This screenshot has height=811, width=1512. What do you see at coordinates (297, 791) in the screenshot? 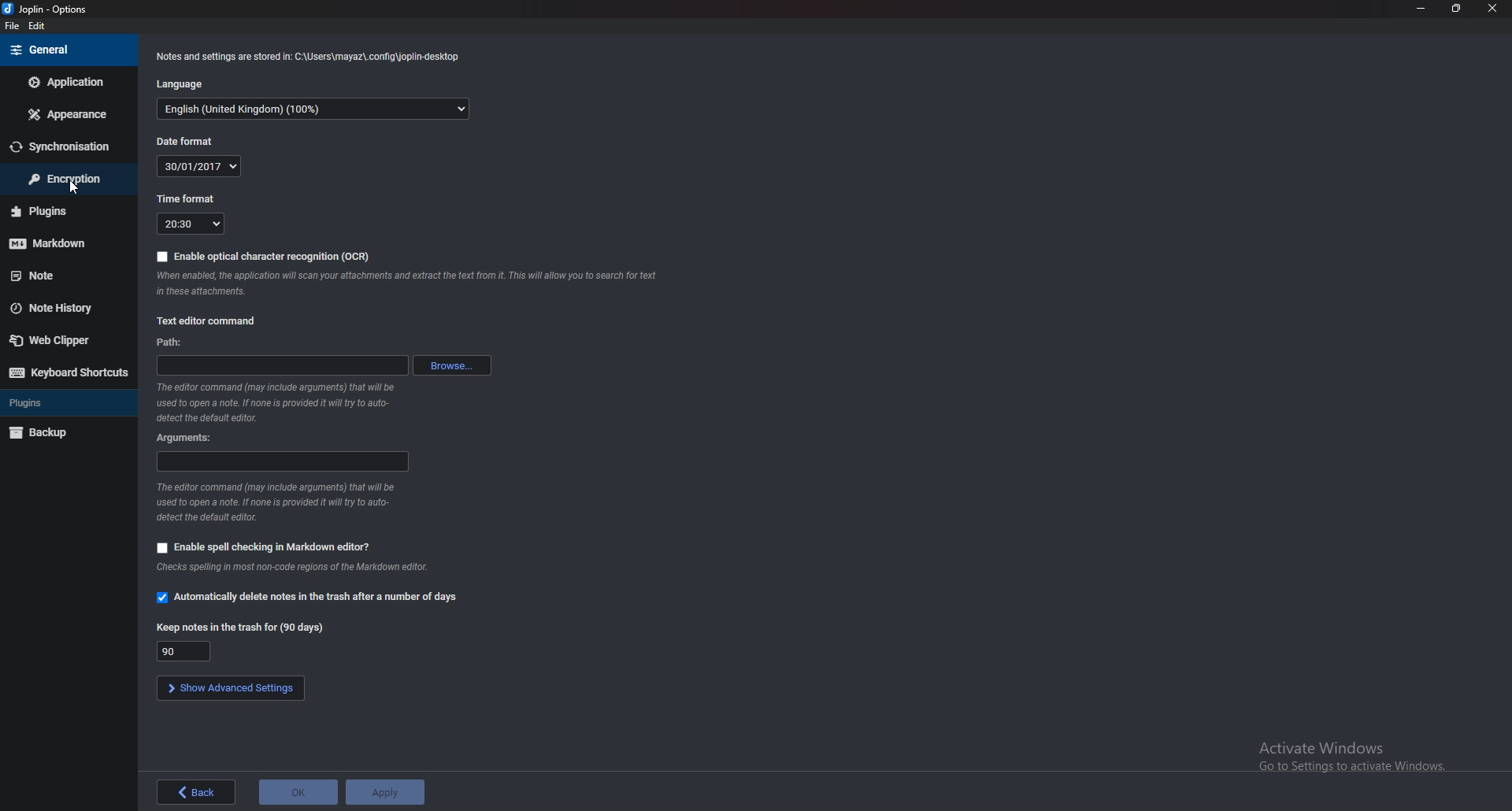
I see `ok` at bounding box center [297, 791].